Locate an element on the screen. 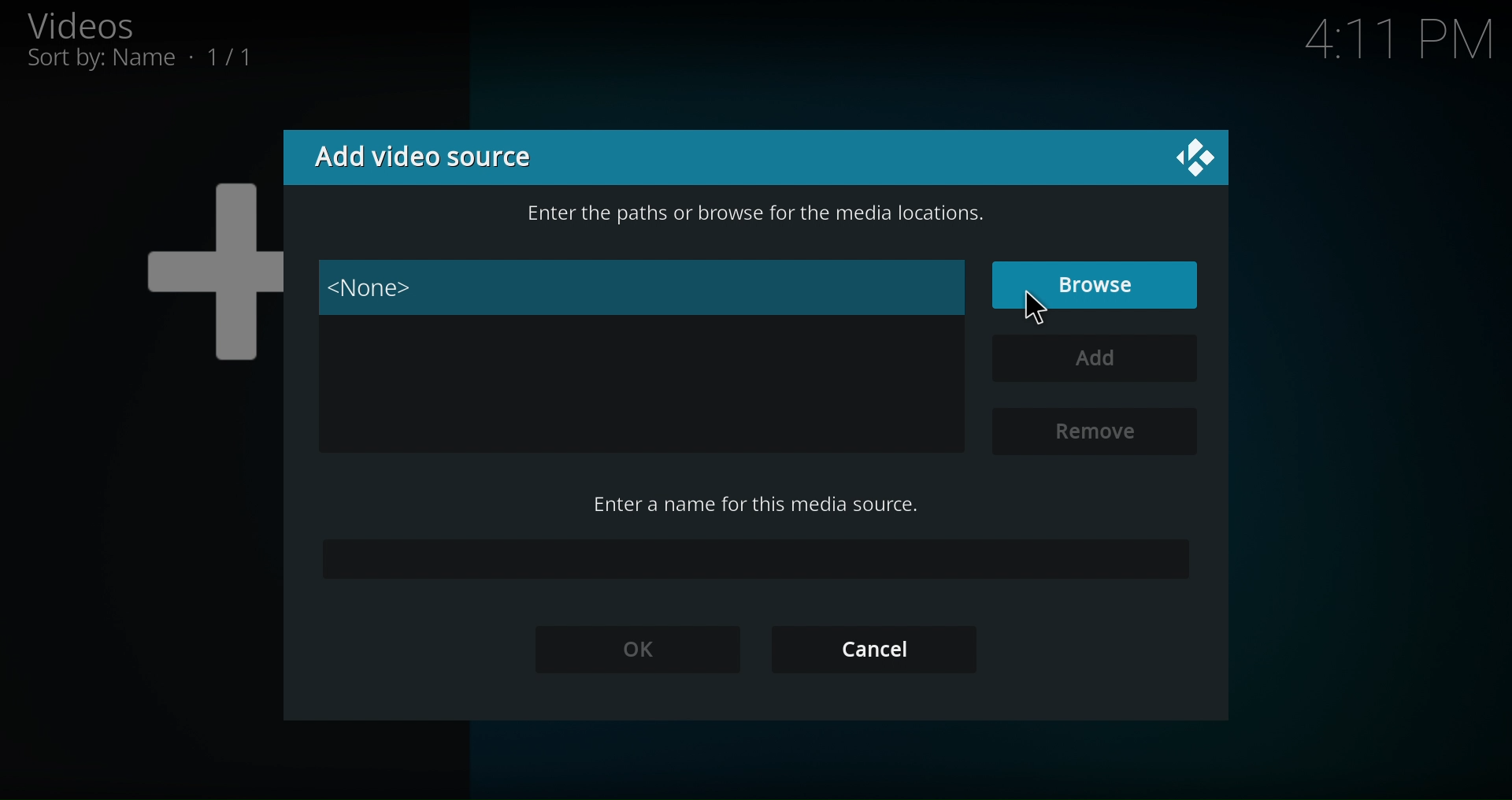  Enter a name for this media source is located at coordinates (757, 503).